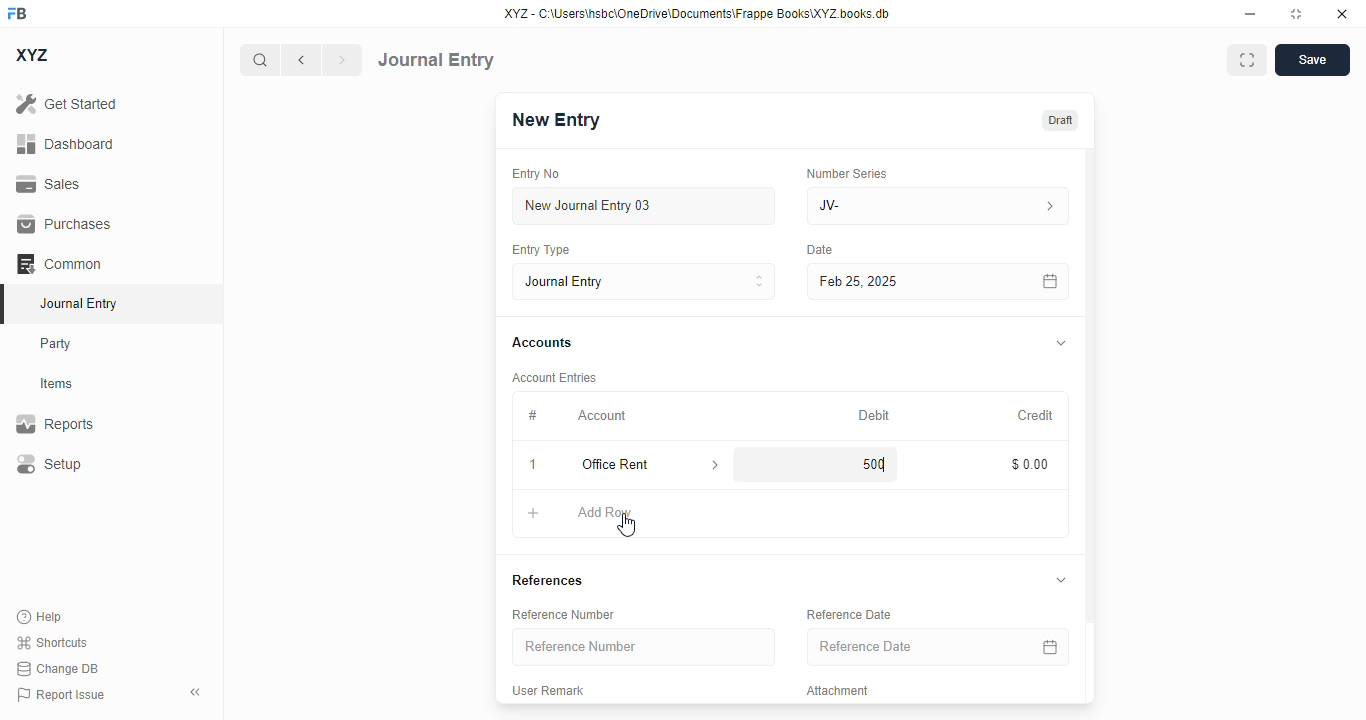 The height and width of the screenshot is (720, 1366). Describe the element at coordinates (58, 668) in the screenshot. I see `change DB` at that location.